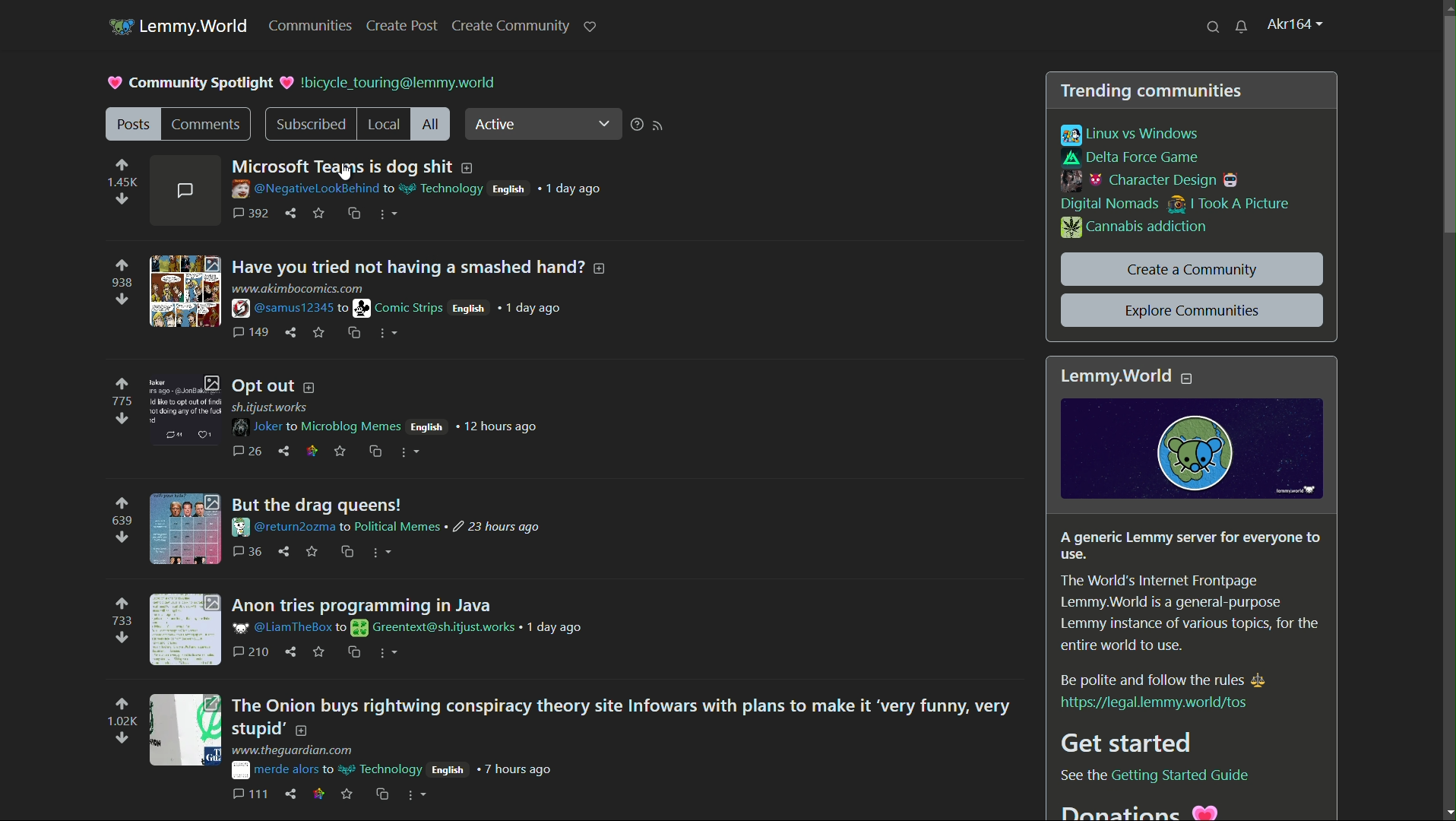  I want to click on image, so click(184, 628).